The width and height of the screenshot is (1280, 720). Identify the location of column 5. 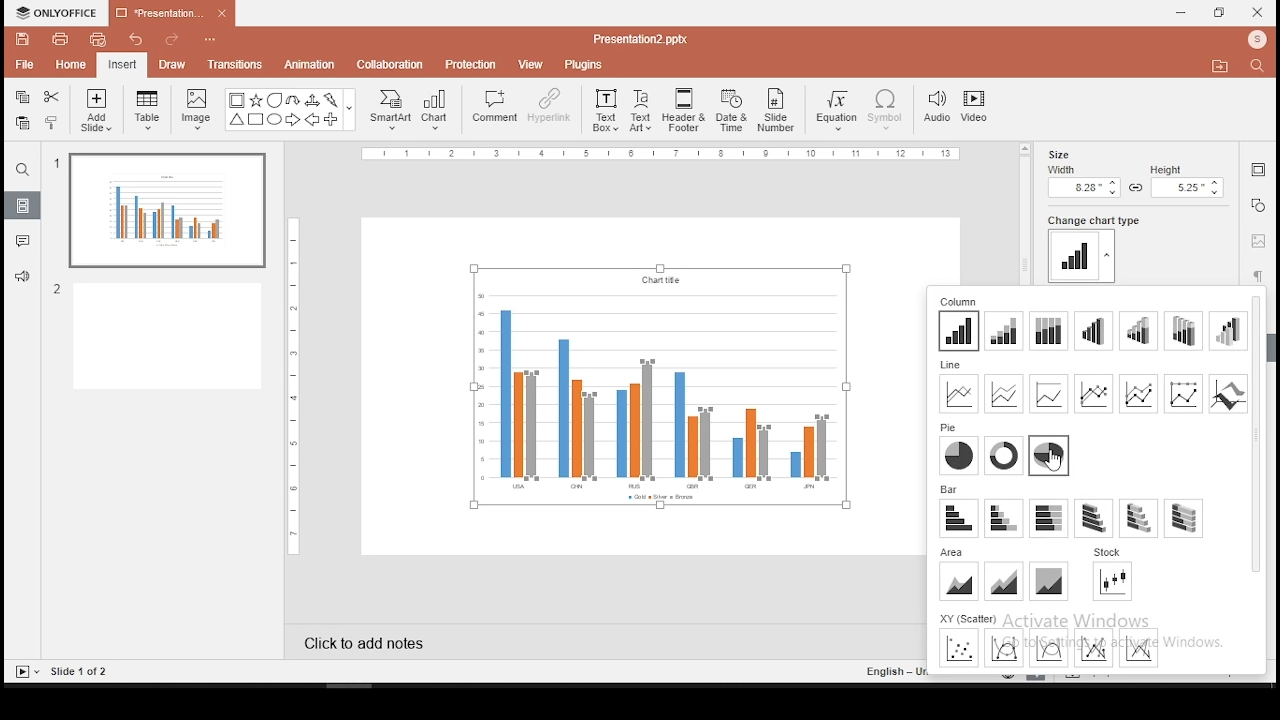
(1137, 331).